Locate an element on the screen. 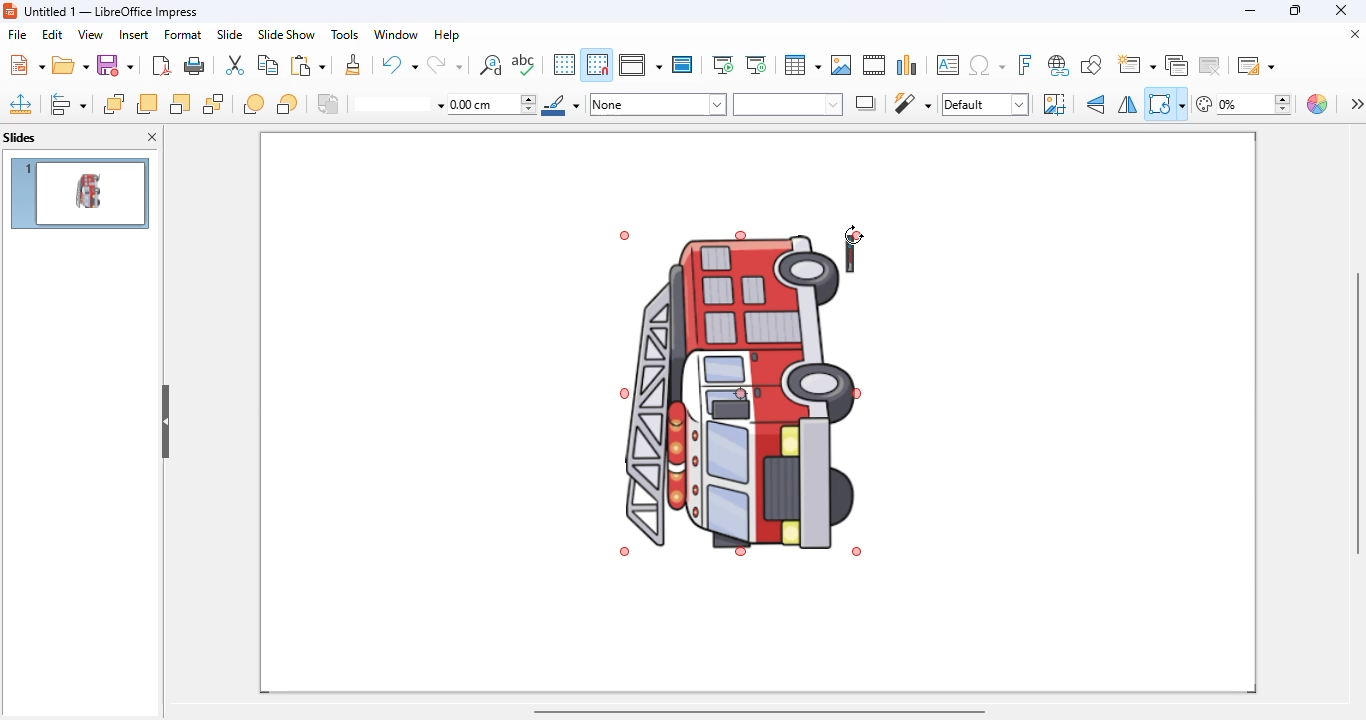 Image resolution: width=1366 pixels, height=720 pixels. insert special characters is located at coordinates (987, 65).